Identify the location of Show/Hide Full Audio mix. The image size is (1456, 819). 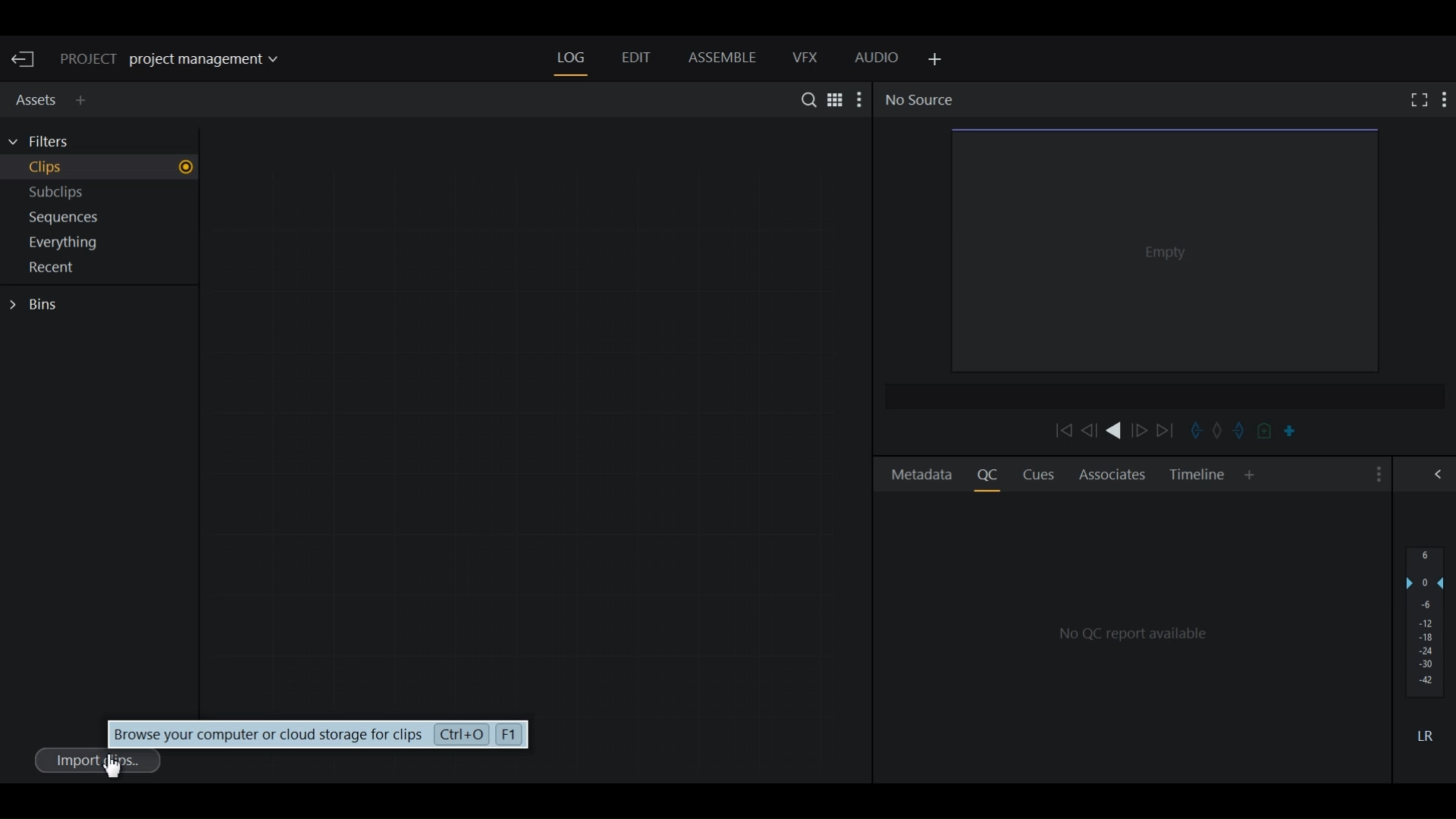
(1441, 473).